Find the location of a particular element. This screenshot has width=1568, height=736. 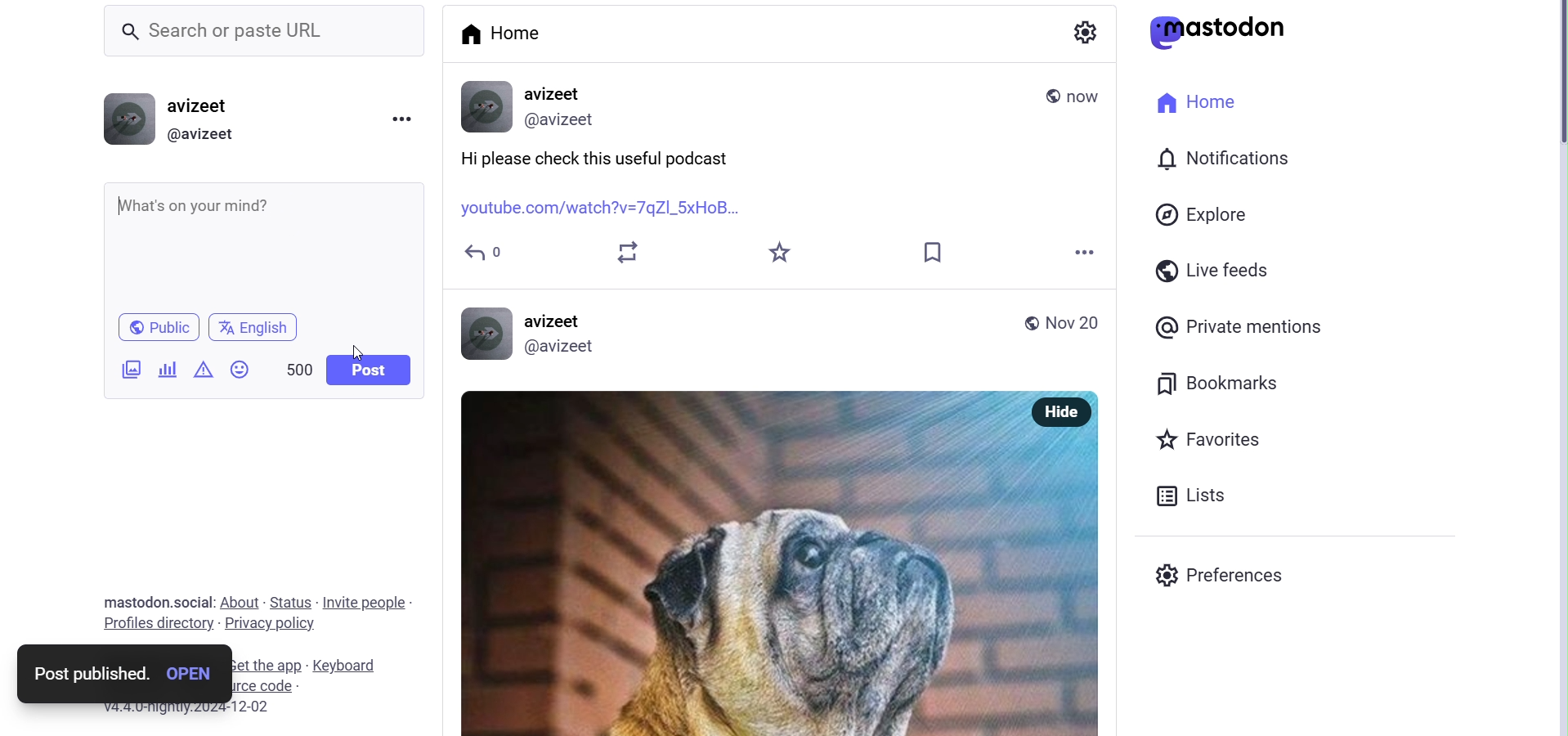

mastodon  is located at coordinates (1226, 30).